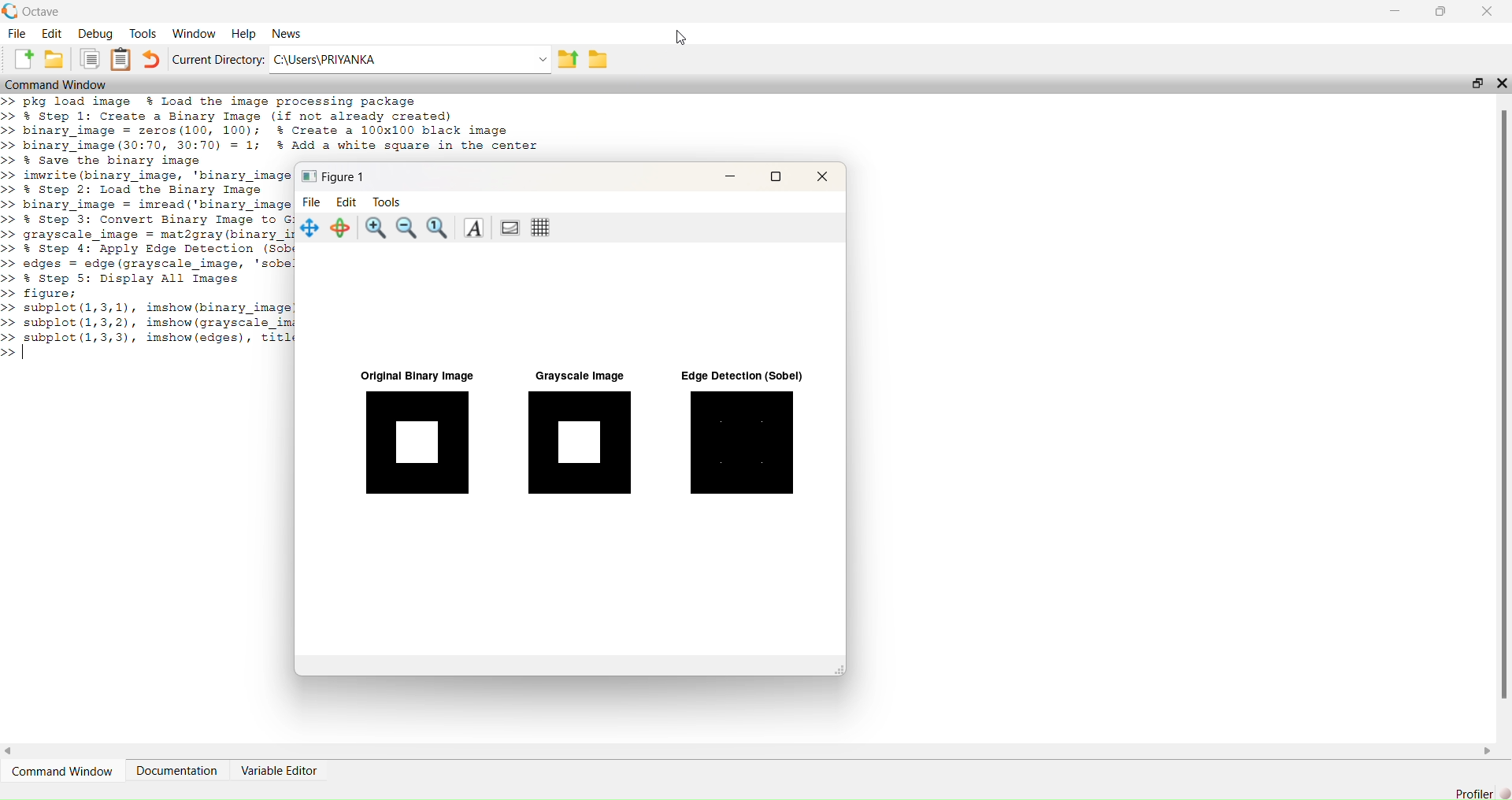 This screenshot has height=800, width=1512. I want to click on scroll left, so click(9, 751).